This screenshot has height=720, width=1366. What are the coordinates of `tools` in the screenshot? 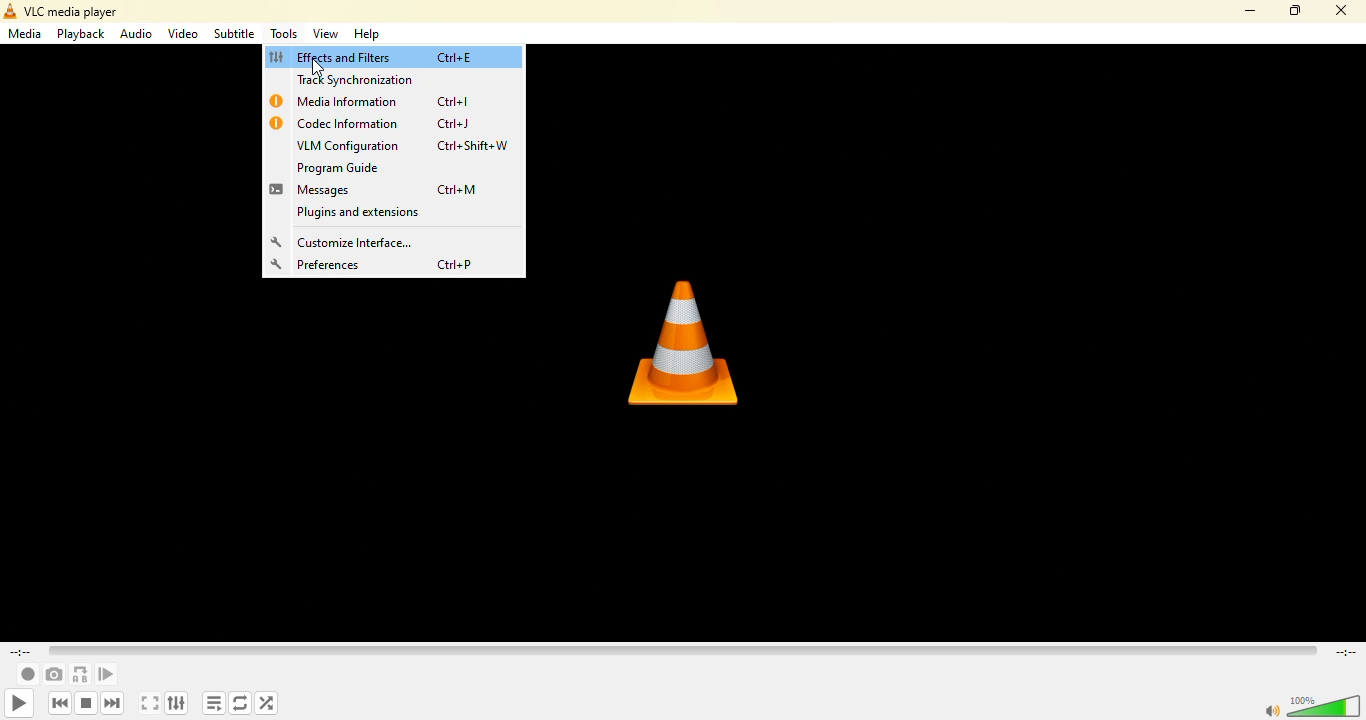 It's located at (284, 34).